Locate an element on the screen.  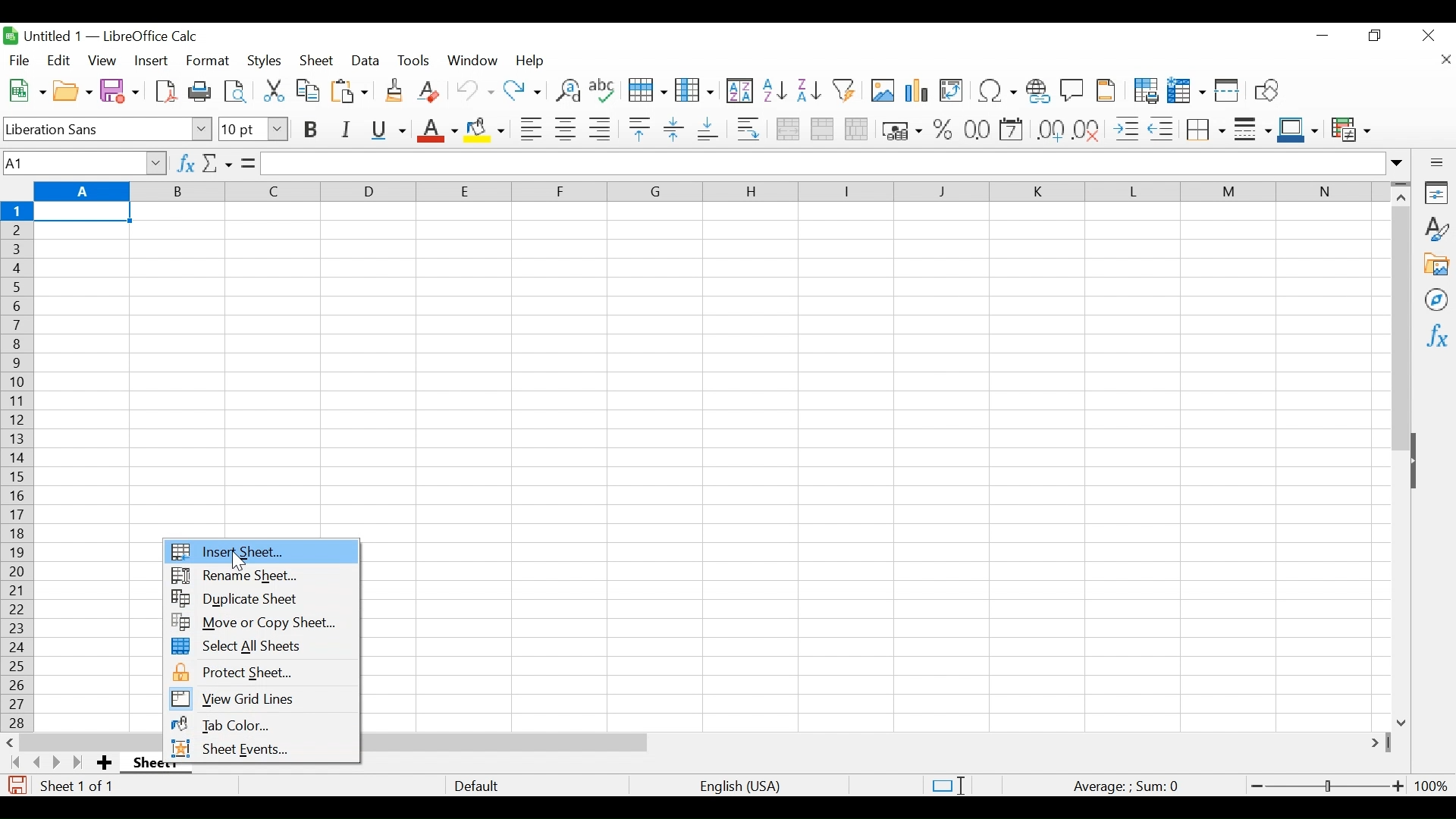
Column is located at coordinates (695, 90).